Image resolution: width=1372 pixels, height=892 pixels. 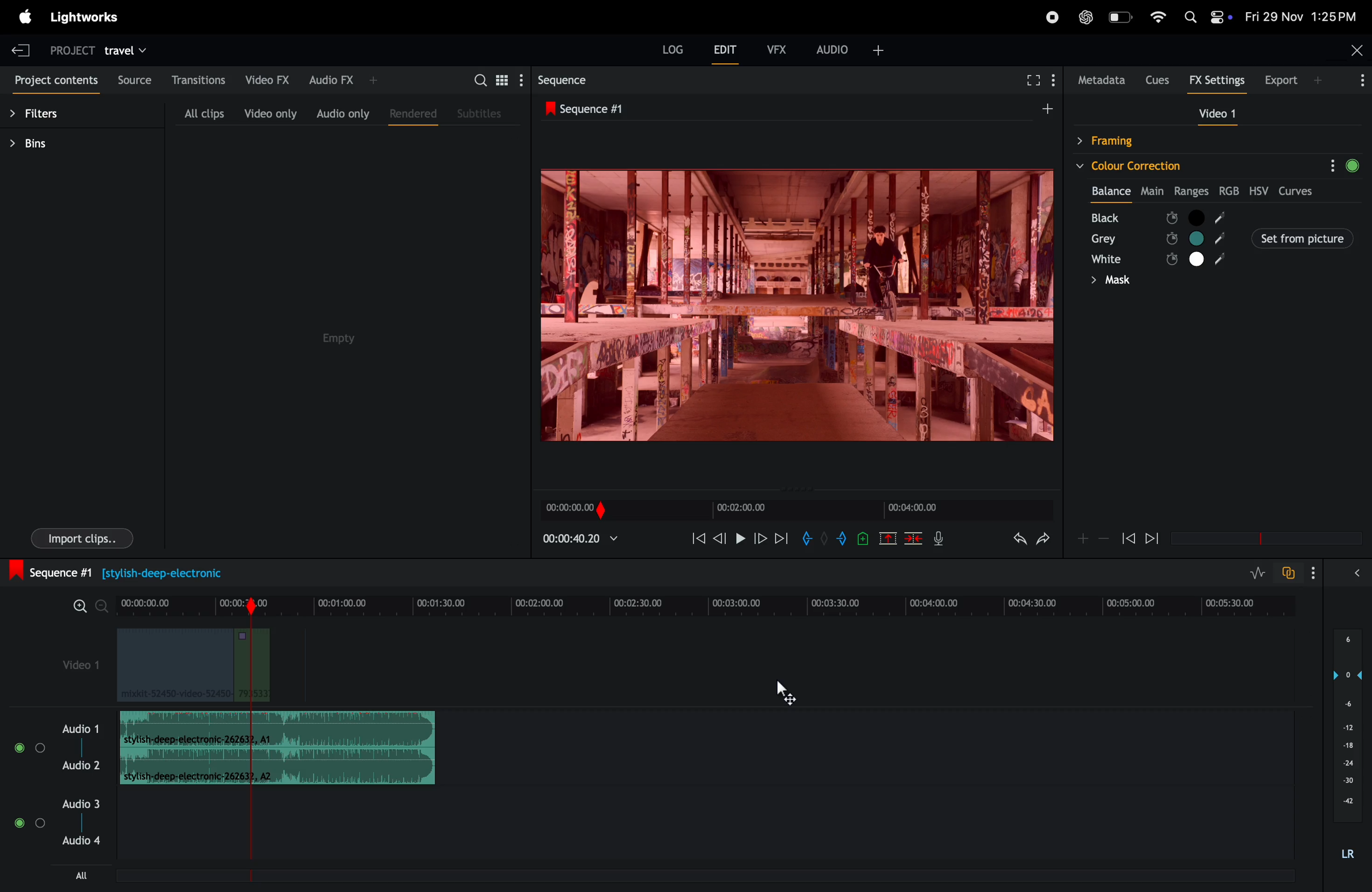 What do you see at coordinates (203, 113) in the screenshot?
I see `all clips` at bounding box center [203, 113].